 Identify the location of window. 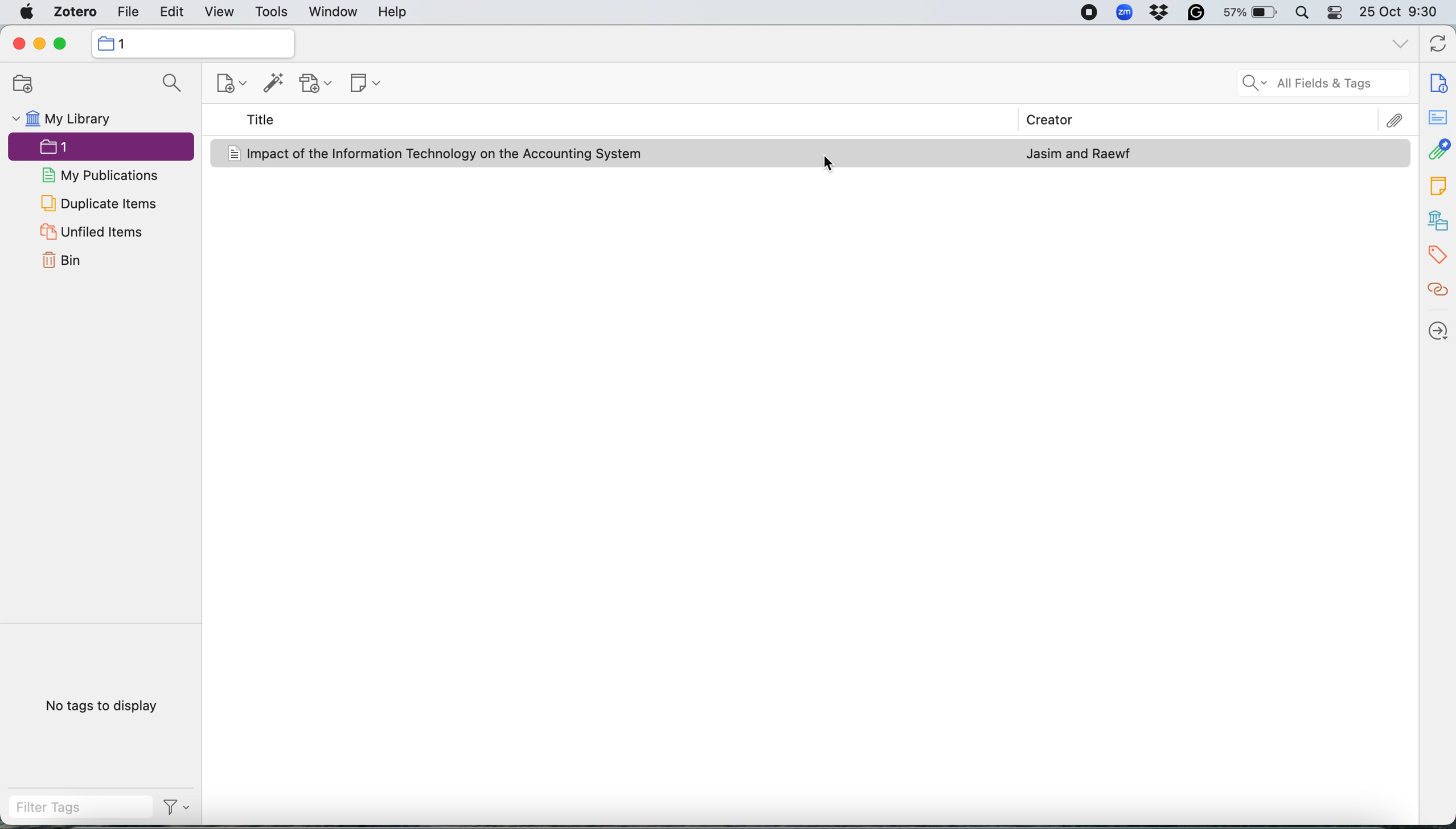
(333, 12).